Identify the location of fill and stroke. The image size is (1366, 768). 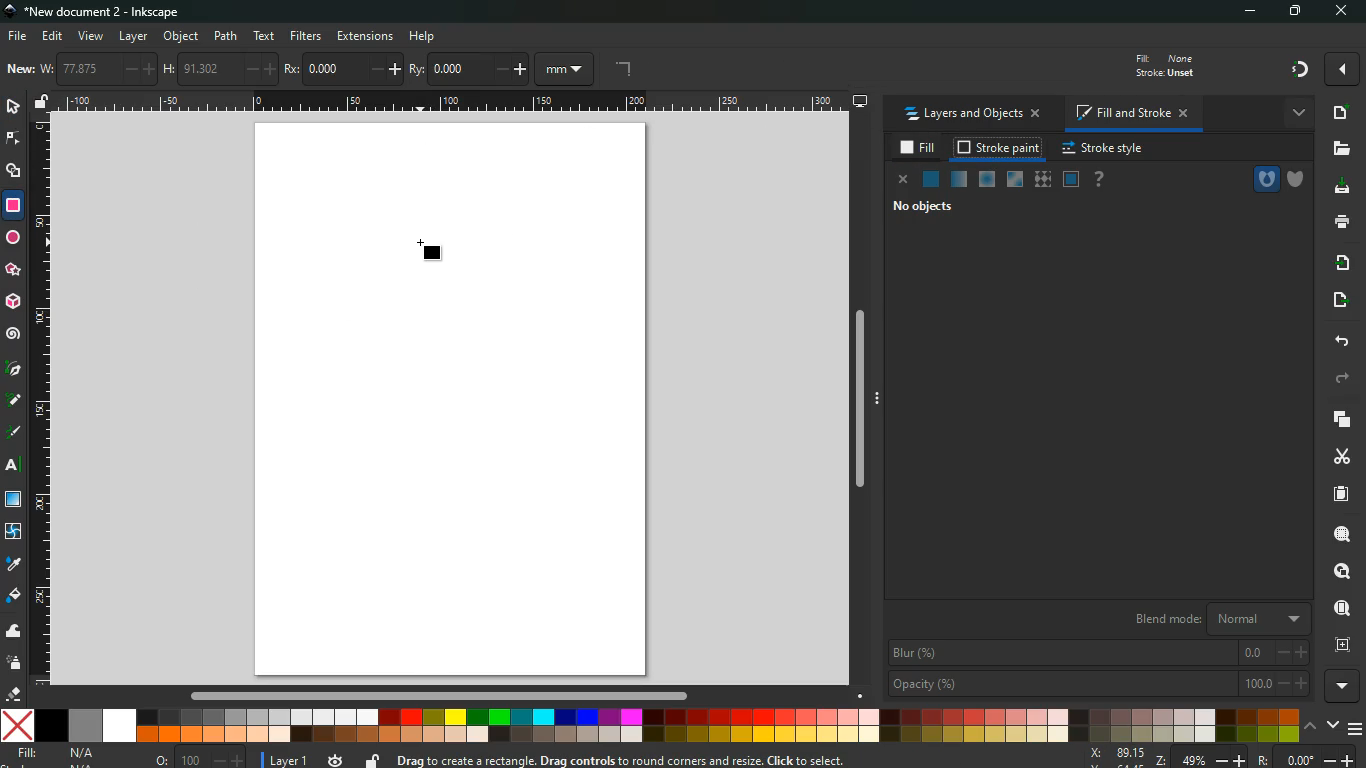
(1132, 112).